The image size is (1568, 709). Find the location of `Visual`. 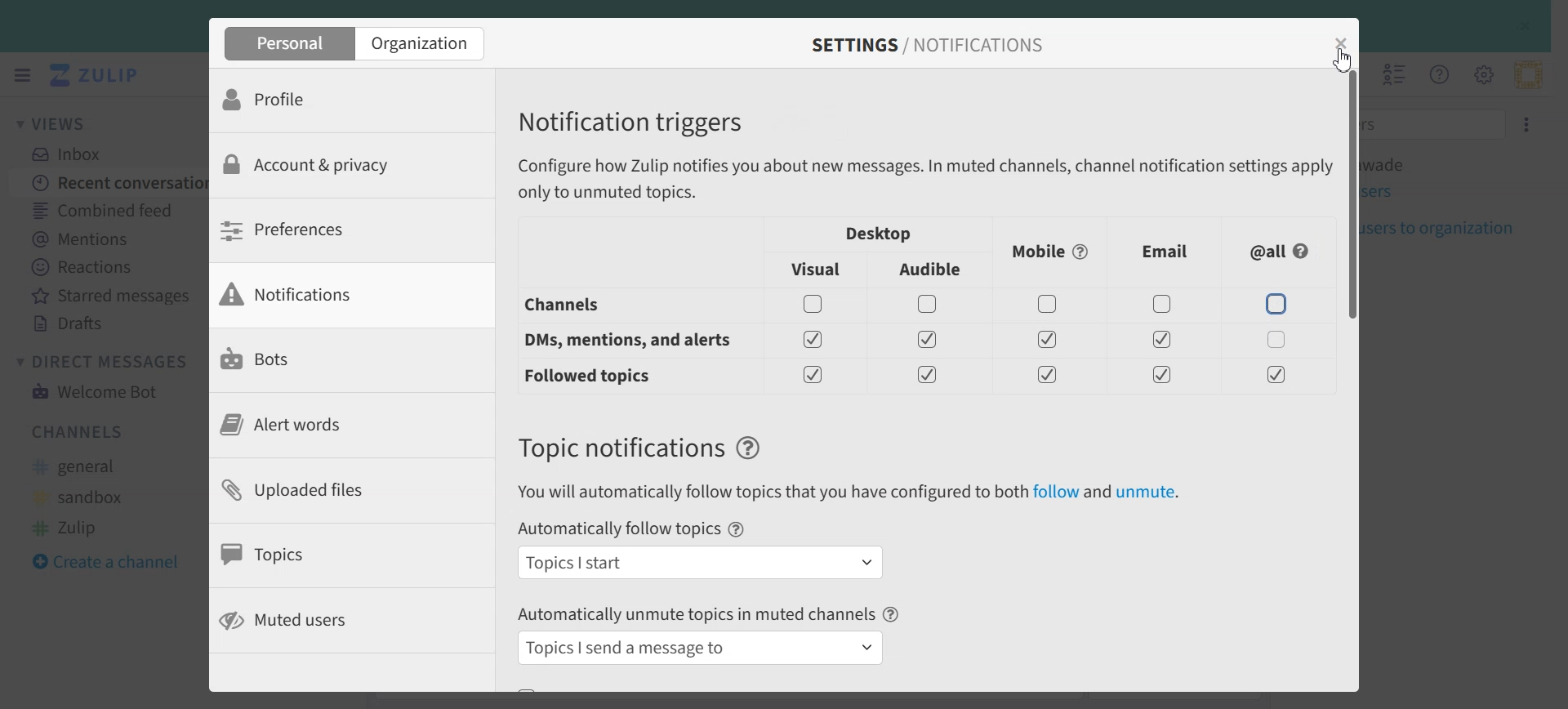

Visual is located at coordinates (817, 270).